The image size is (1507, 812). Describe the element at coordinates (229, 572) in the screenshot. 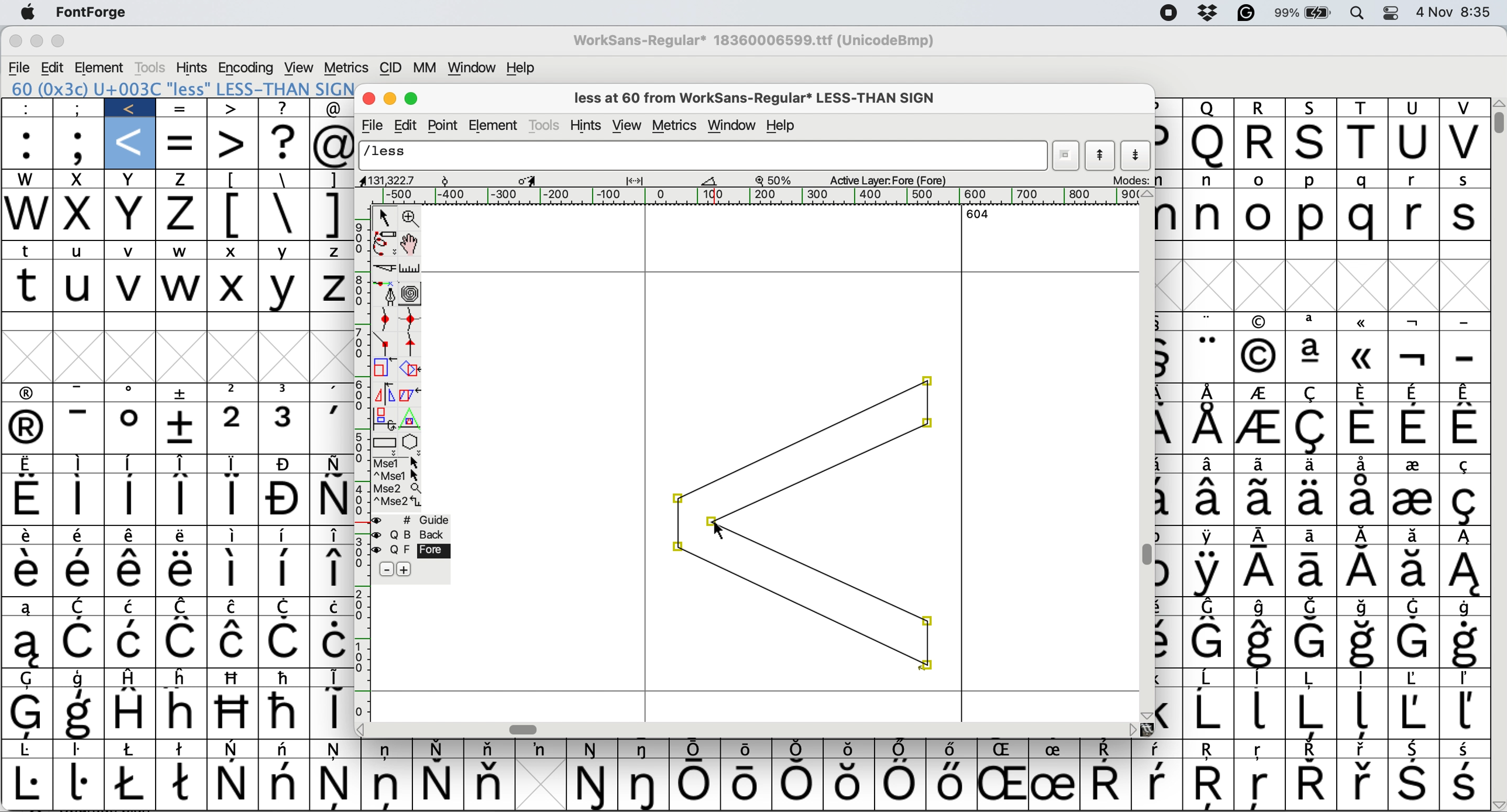

I see `Symbol` at that location.